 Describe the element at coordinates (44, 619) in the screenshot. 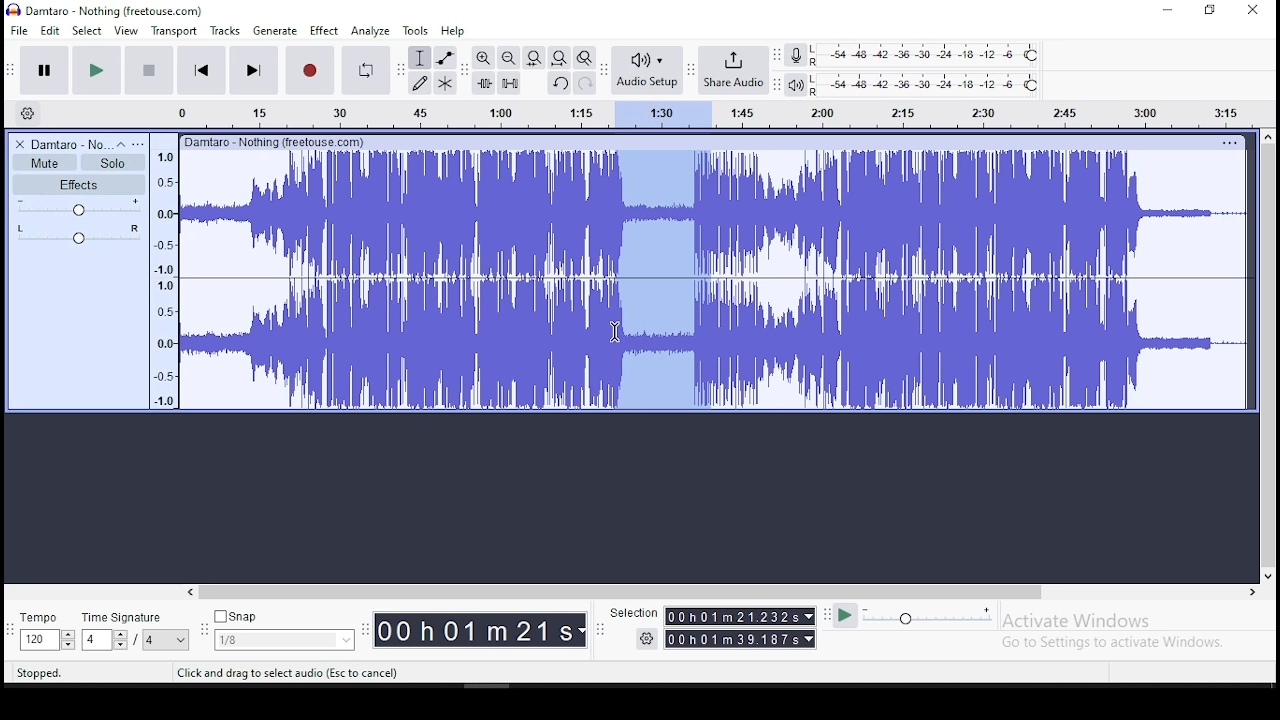

I see `tempo` at that location.